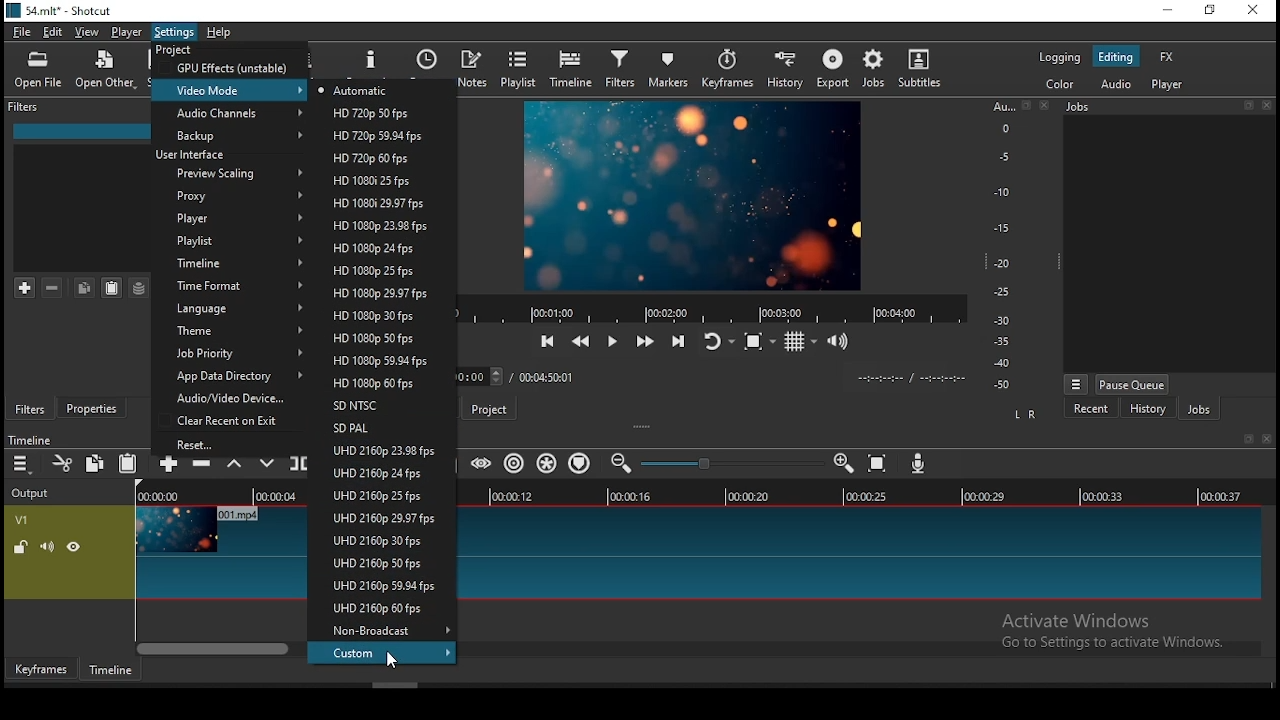  I want to click on ripple, so click(515, 463).